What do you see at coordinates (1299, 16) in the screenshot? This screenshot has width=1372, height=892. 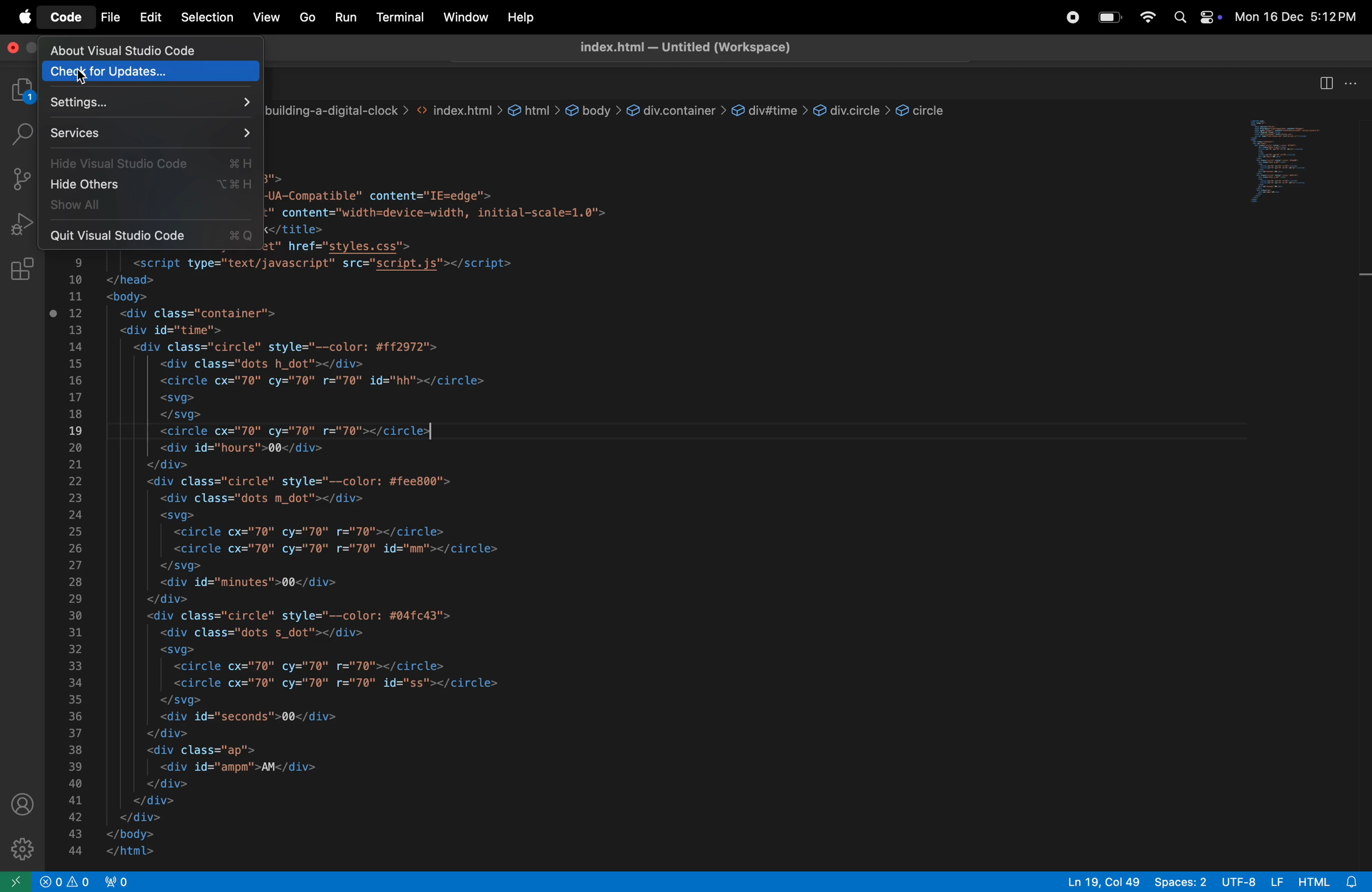 I see `Mon 16 Dec 5:12 PM` at bounding box center [1299, 16].